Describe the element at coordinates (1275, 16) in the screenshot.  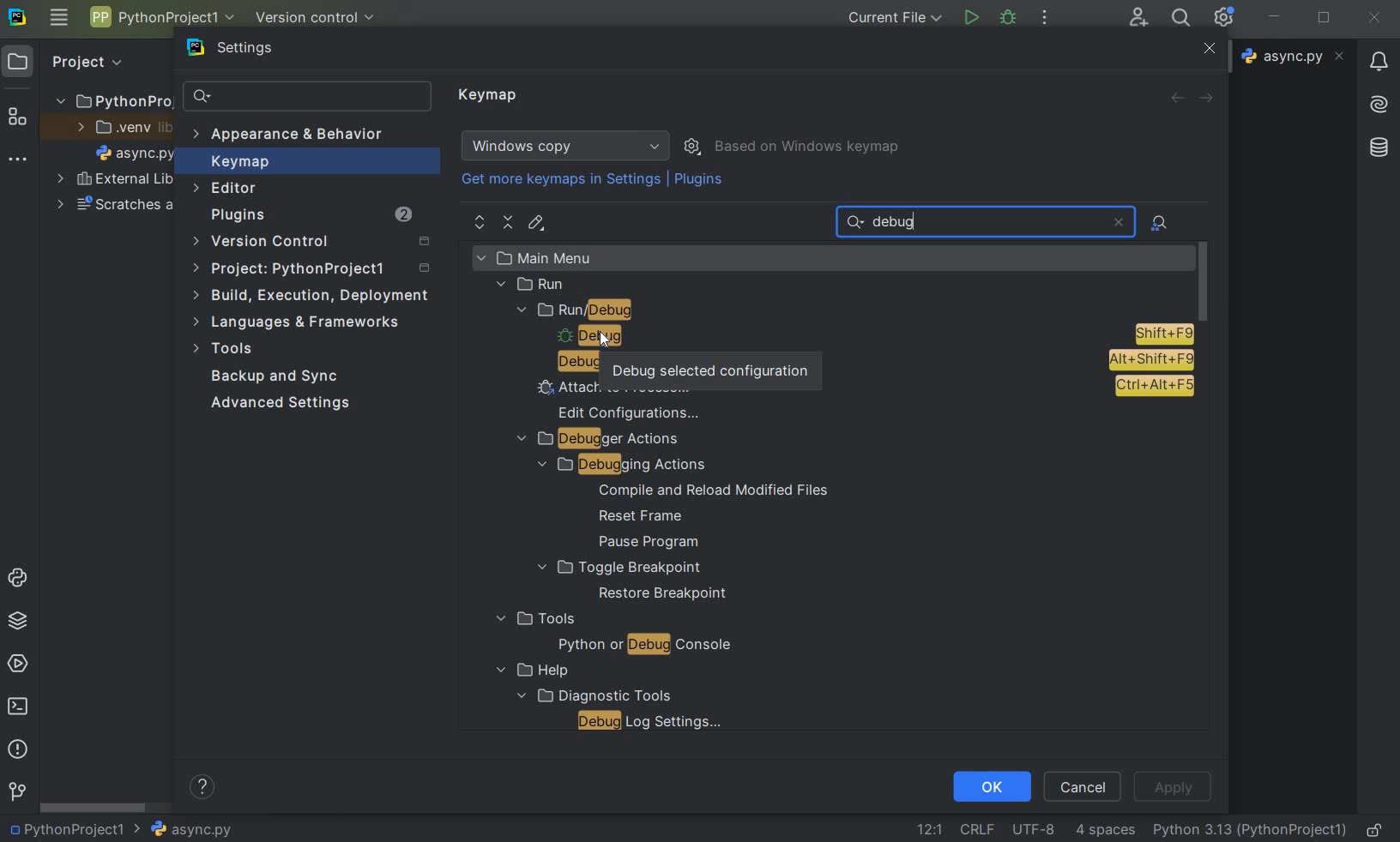
I see `minimize` at that location.